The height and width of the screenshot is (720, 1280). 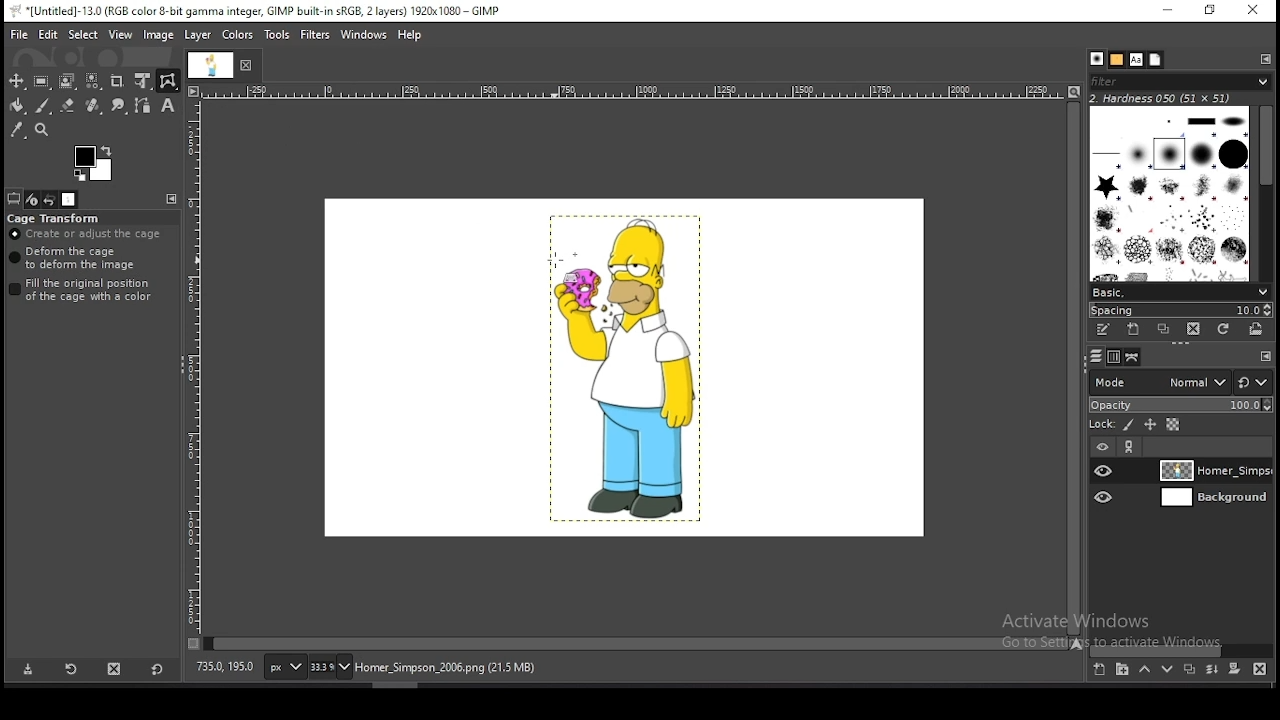 What do you see at coordinates (1106, 330) in the screenshot?
I see `edit this brush` at bounding box center [1106, 330].